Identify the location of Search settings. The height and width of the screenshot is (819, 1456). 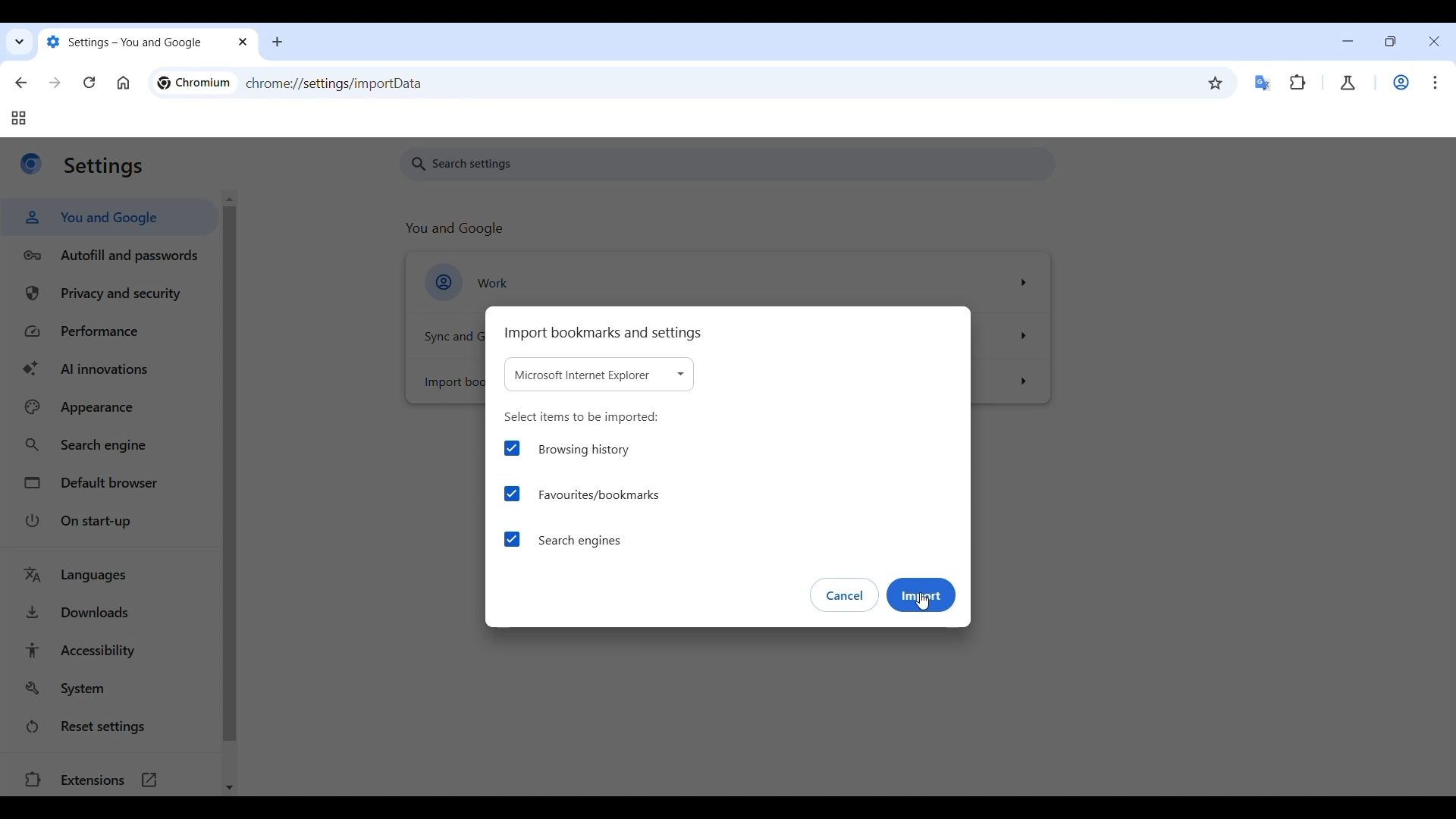
(729, 164).